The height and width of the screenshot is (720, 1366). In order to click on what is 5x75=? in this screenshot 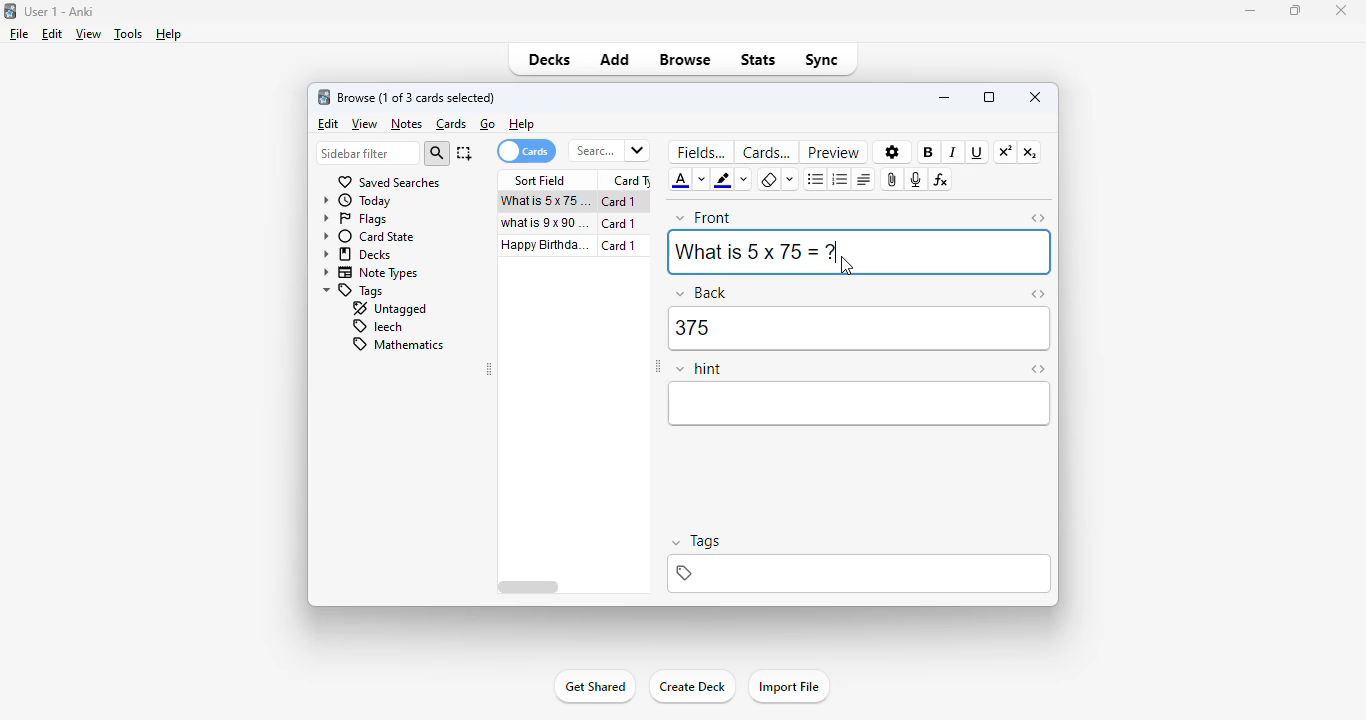, I will do `click(546, 201)`.